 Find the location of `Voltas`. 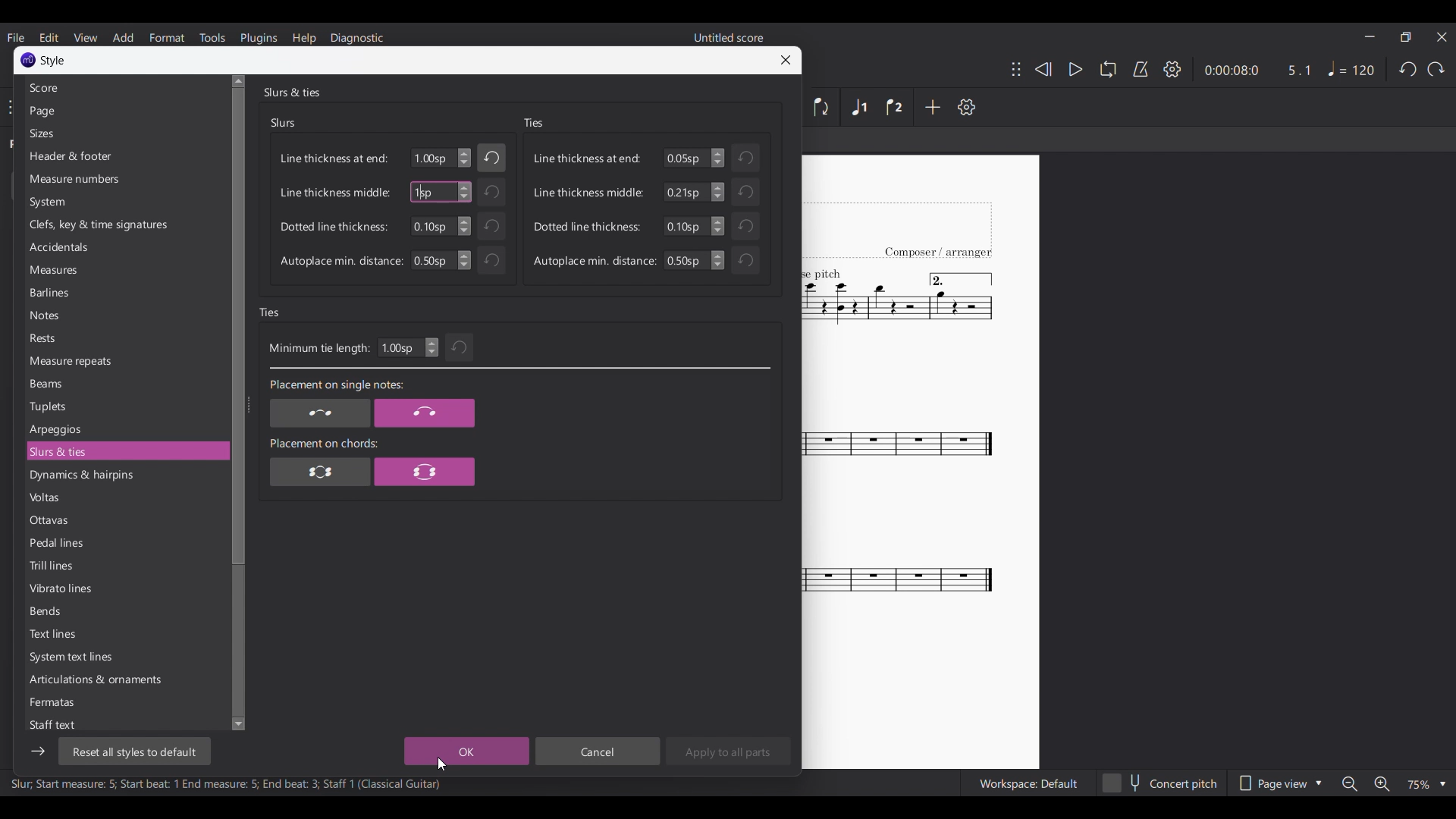

Voltas is located at coordinates (124, 497).